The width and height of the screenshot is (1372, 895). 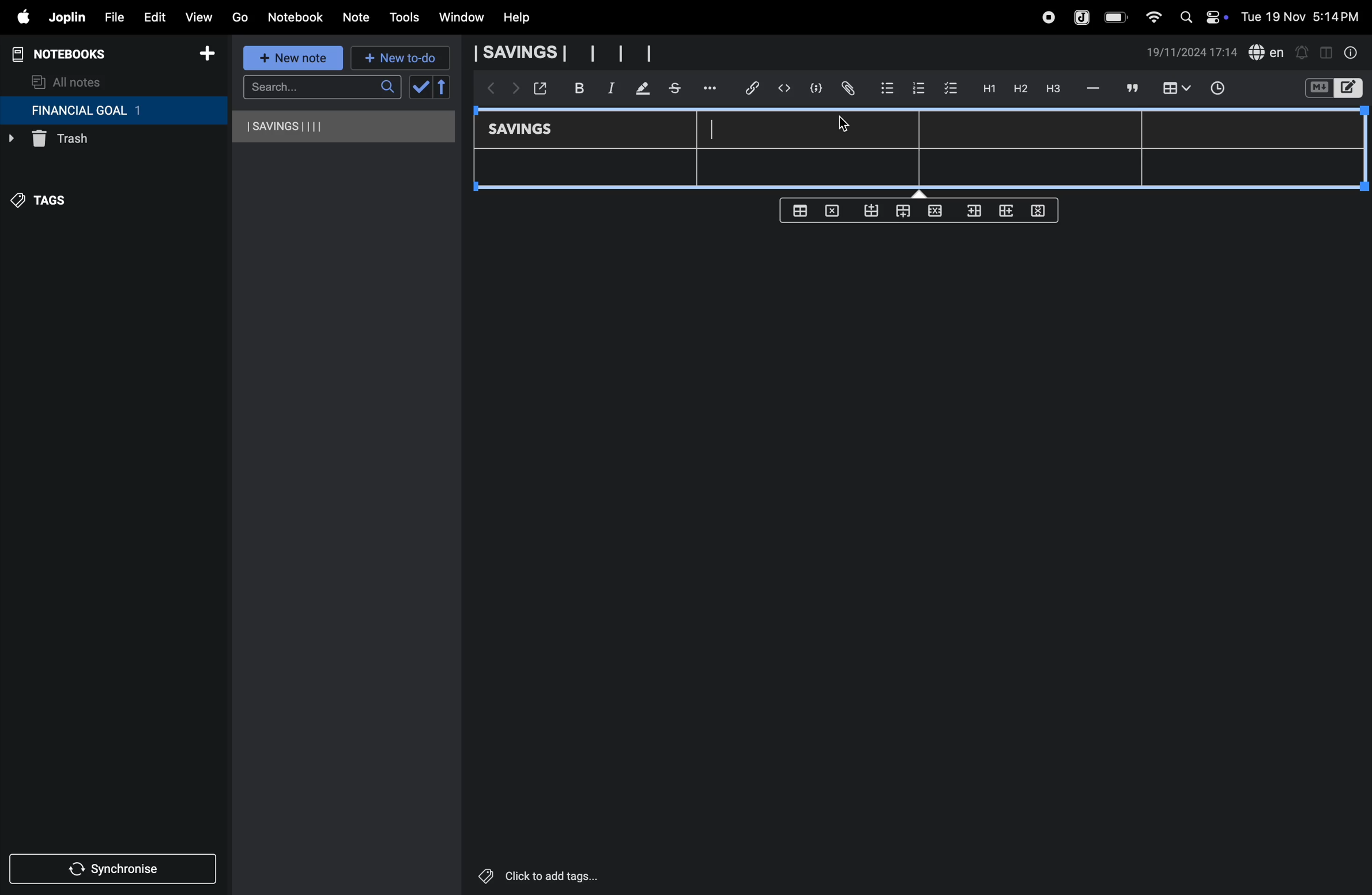 What do you see at coordinates (676, 90) in the screenshot?
I see `stketchbook` at bounding box center [676, 90].